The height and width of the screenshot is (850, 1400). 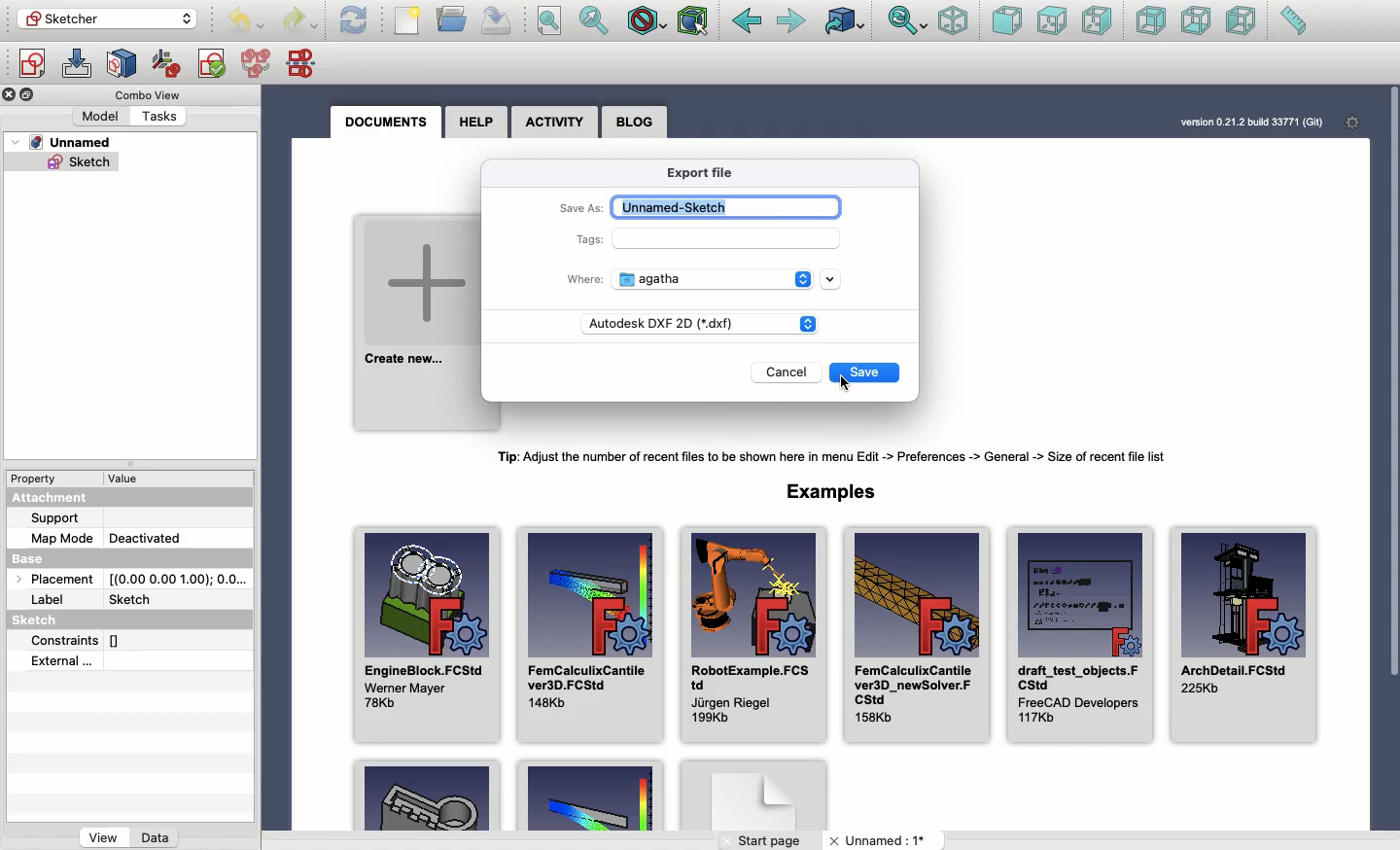 I want to click on Fit all, so click(x=554, y=20).